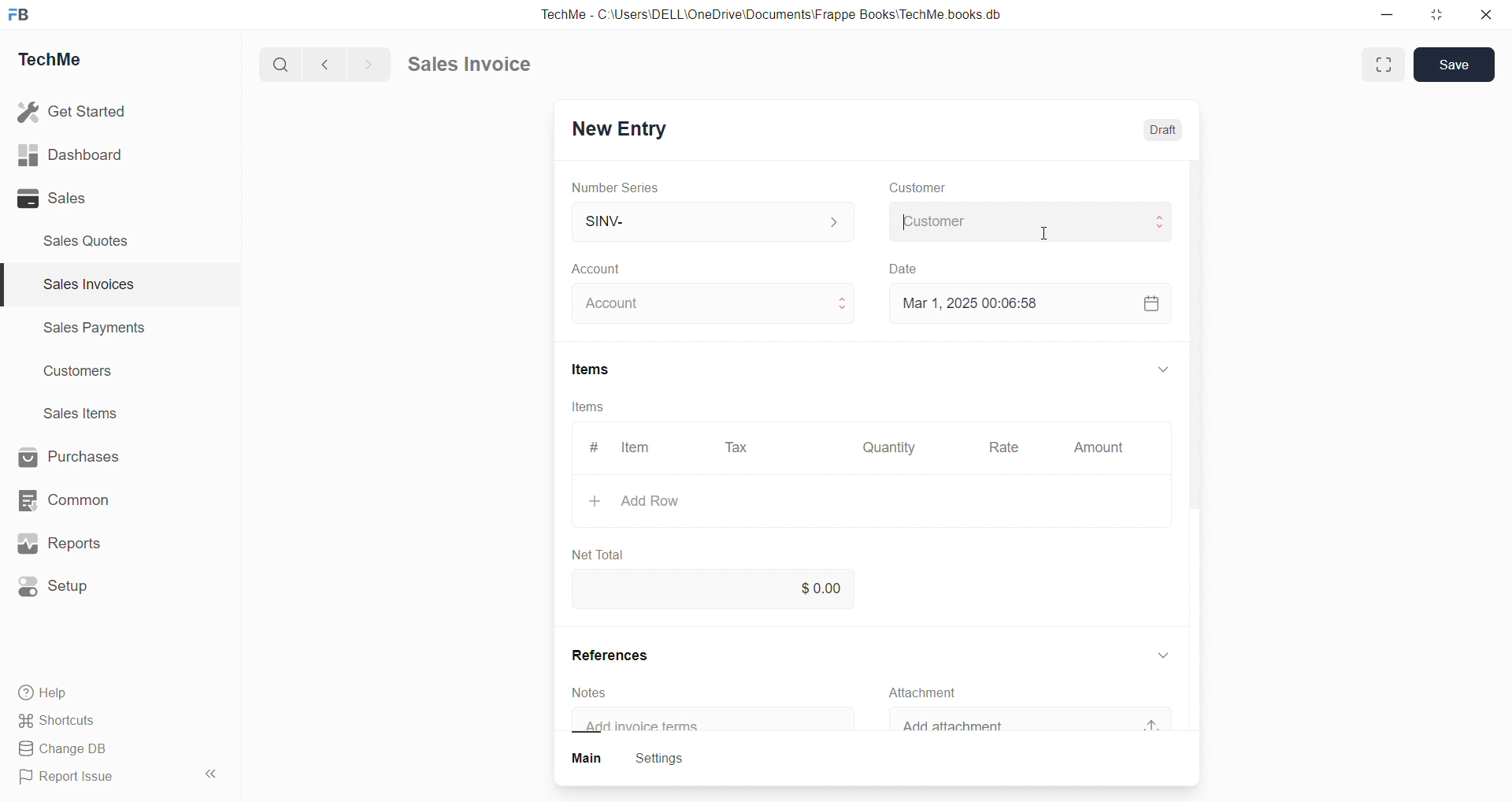 This screenshot has width=1512, height=802. I want to click on Settings, so click(669, 759).